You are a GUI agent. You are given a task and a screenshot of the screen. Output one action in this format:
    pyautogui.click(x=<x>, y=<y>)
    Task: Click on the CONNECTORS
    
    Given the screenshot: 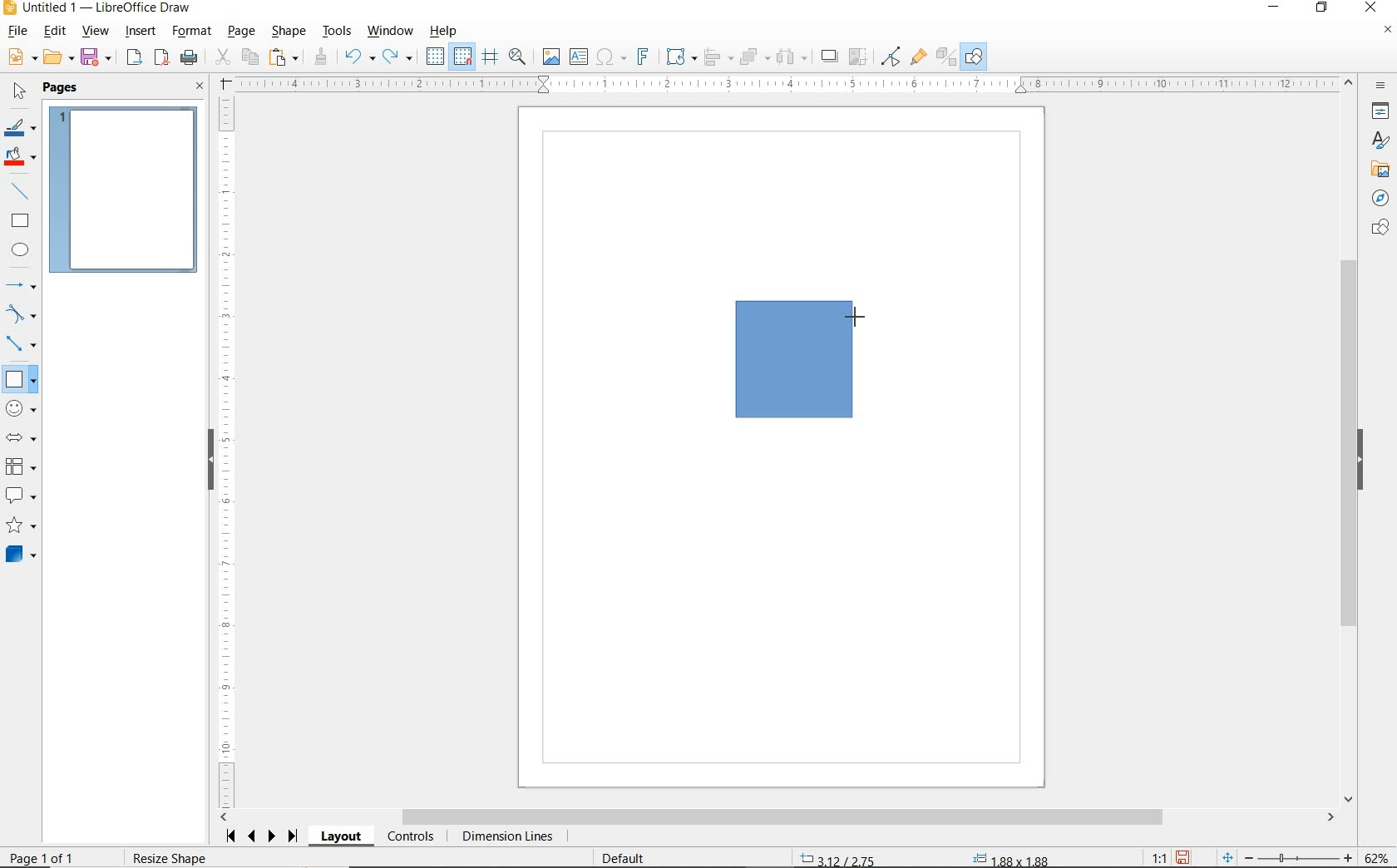 What is the action you would take?
    pyautogui.click(x=21, y=345)
    